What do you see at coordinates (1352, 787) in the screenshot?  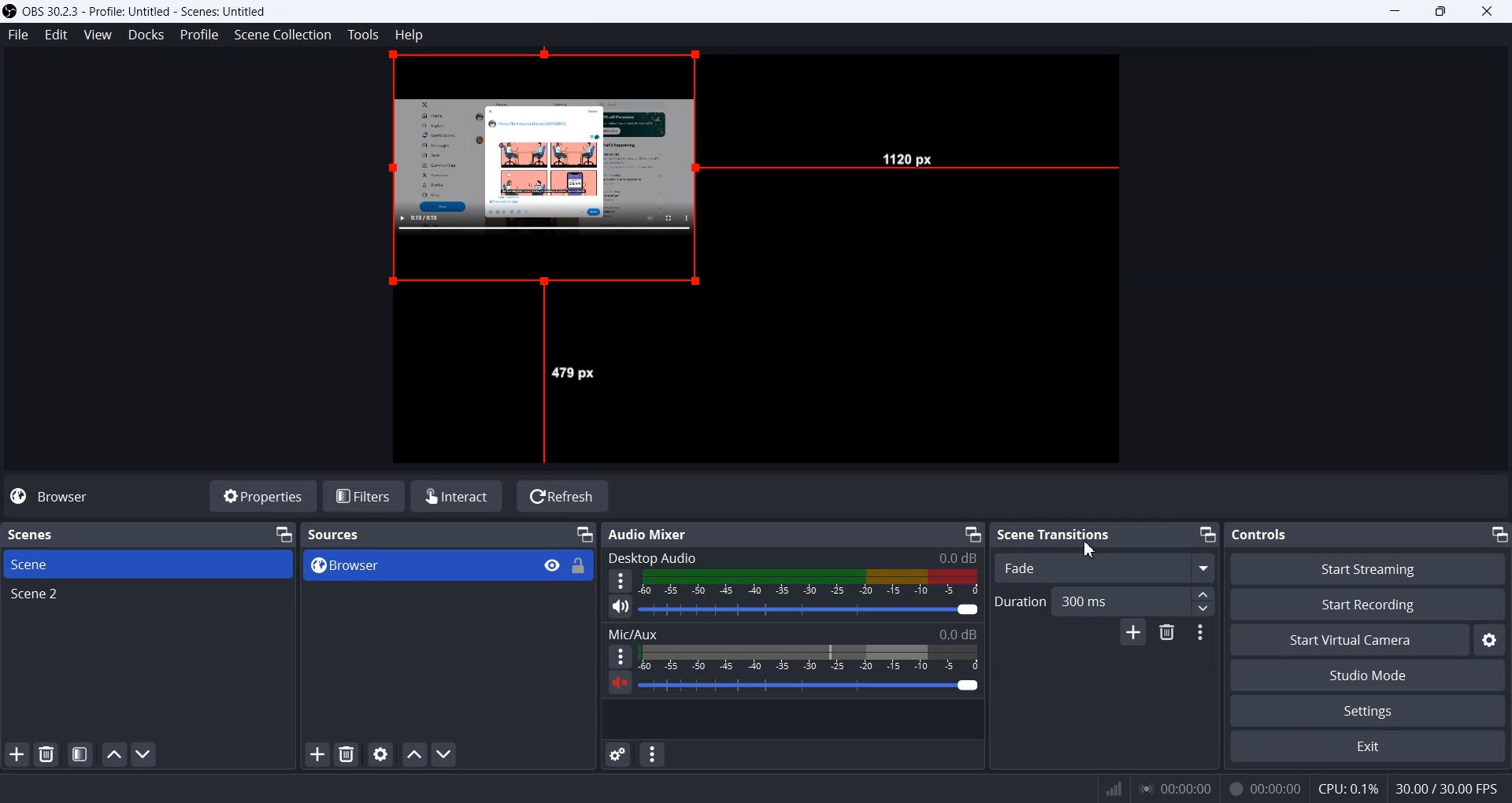 I see `CPU:0.1%` at bounding box center [1352, 787].